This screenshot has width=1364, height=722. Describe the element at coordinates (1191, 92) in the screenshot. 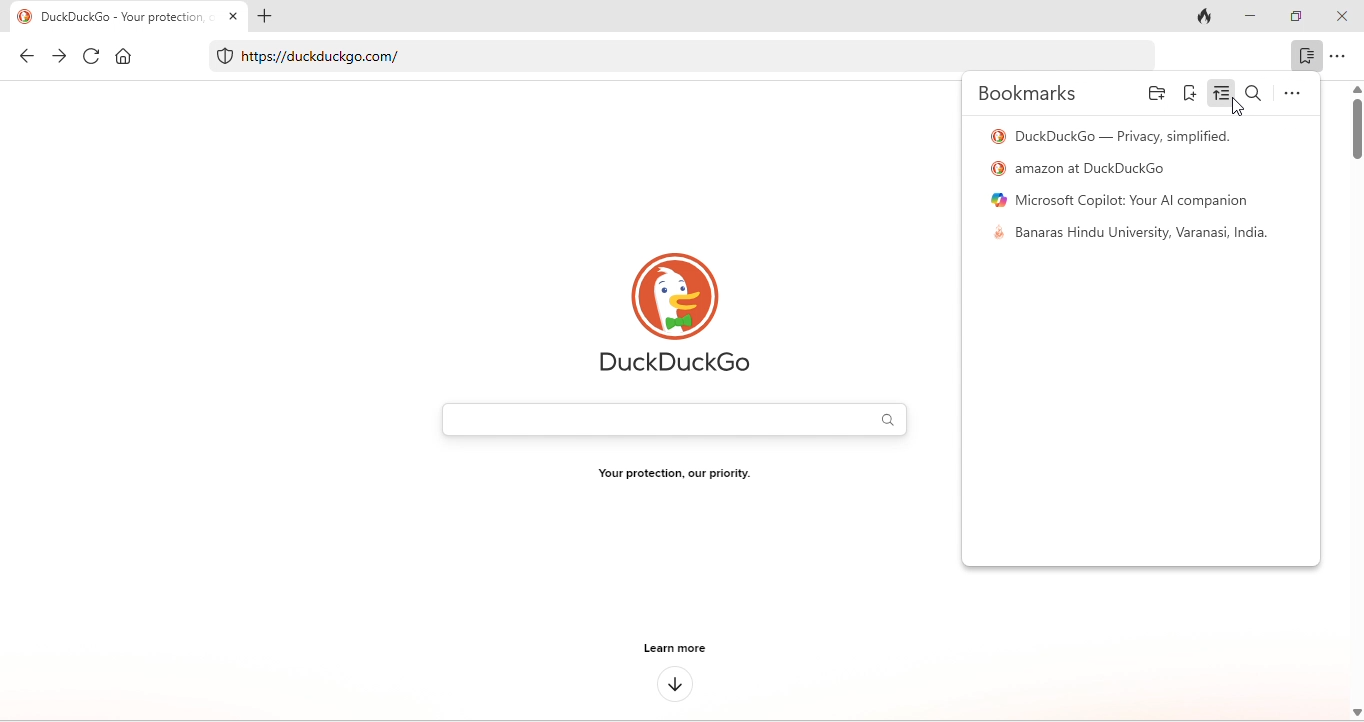

I see `add bookmark` at that location.